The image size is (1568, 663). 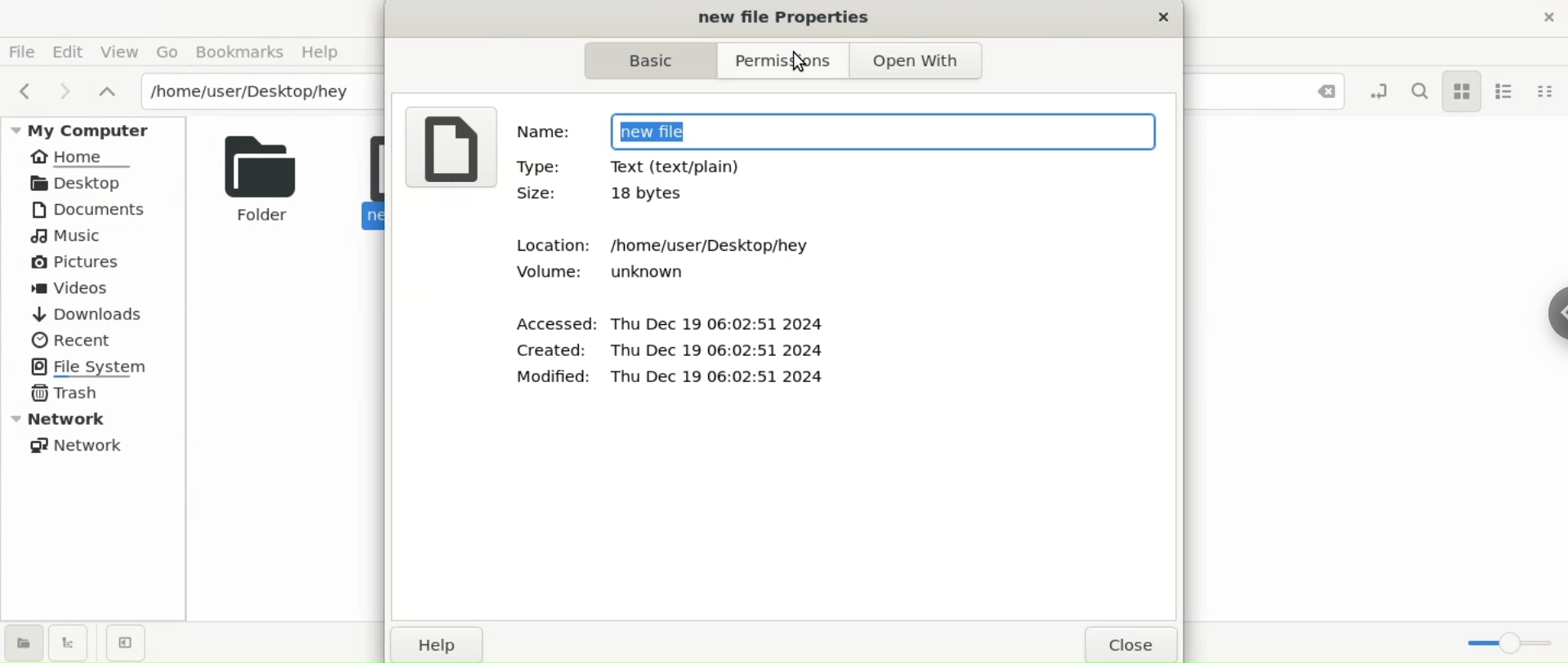 I want to click on Network, so click(x=98, y=418).